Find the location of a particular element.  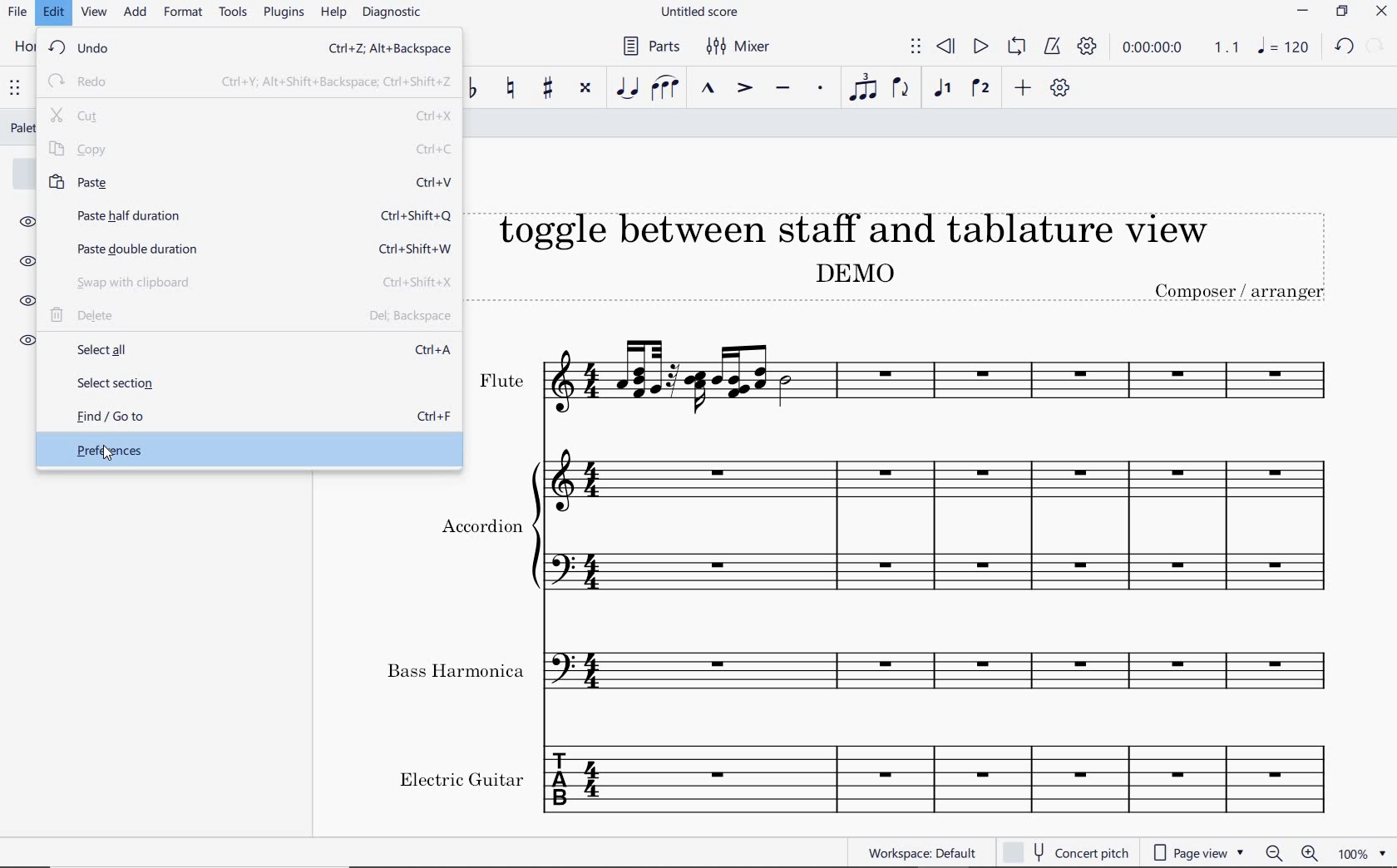

MINIMIZE is located at coordinates (1305, 13).